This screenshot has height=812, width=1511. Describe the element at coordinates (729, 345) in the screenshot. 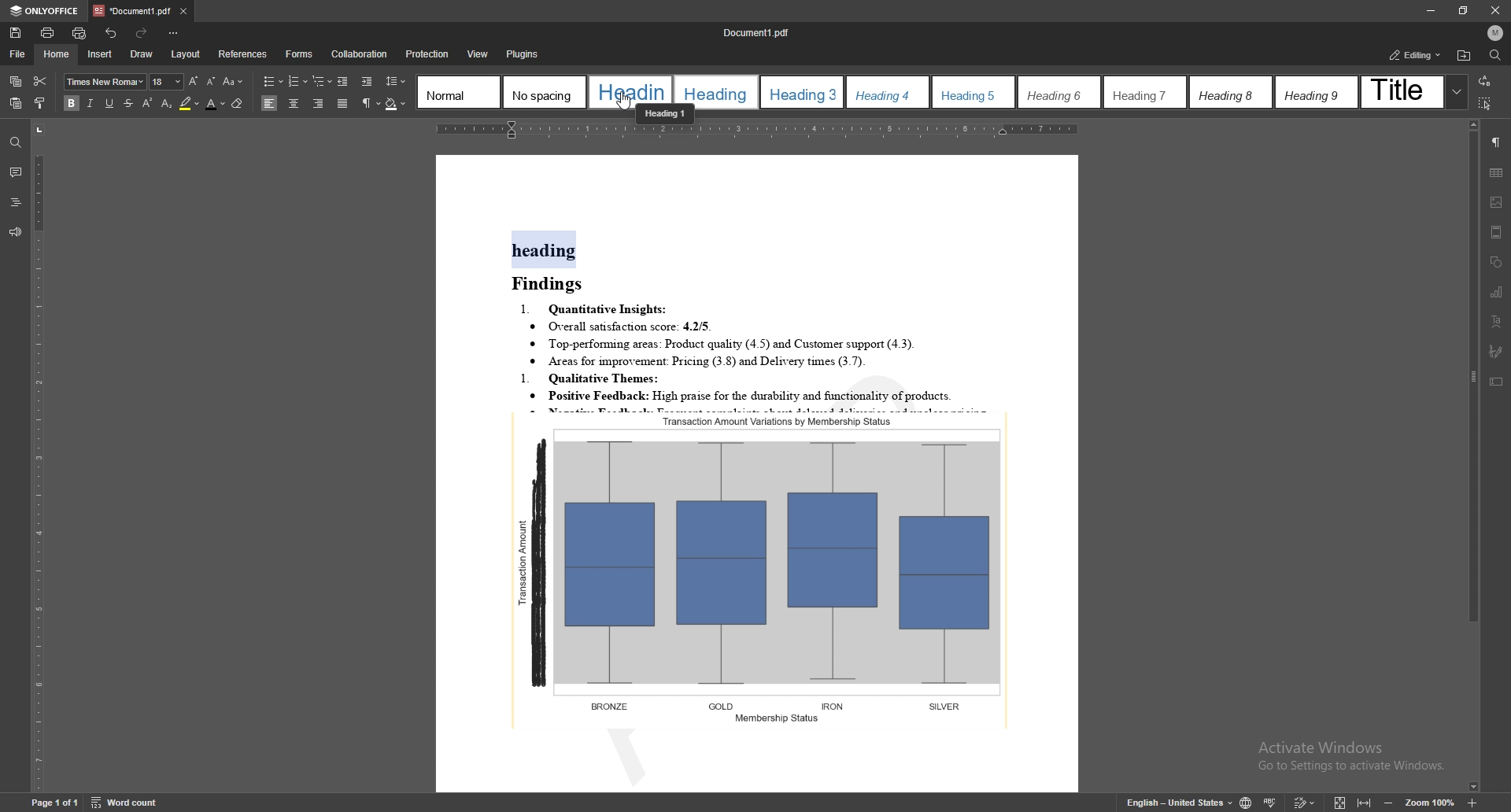

I see `® Top-performung areas: Product quality (4.5) and Customer support (4.3).` at that location.